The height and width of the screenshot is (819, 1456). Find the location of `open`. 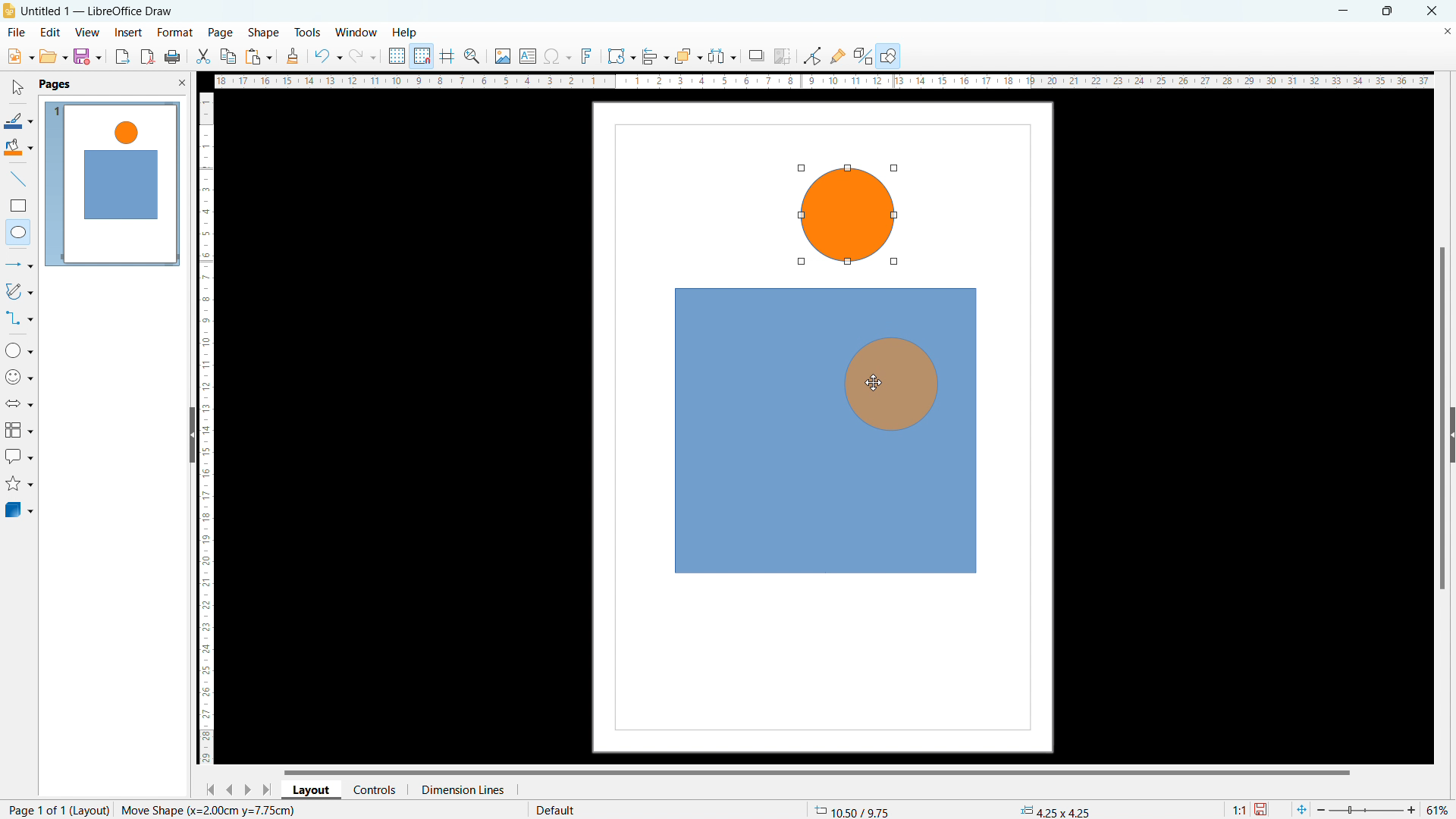

open is located at coordinates (53, 56).